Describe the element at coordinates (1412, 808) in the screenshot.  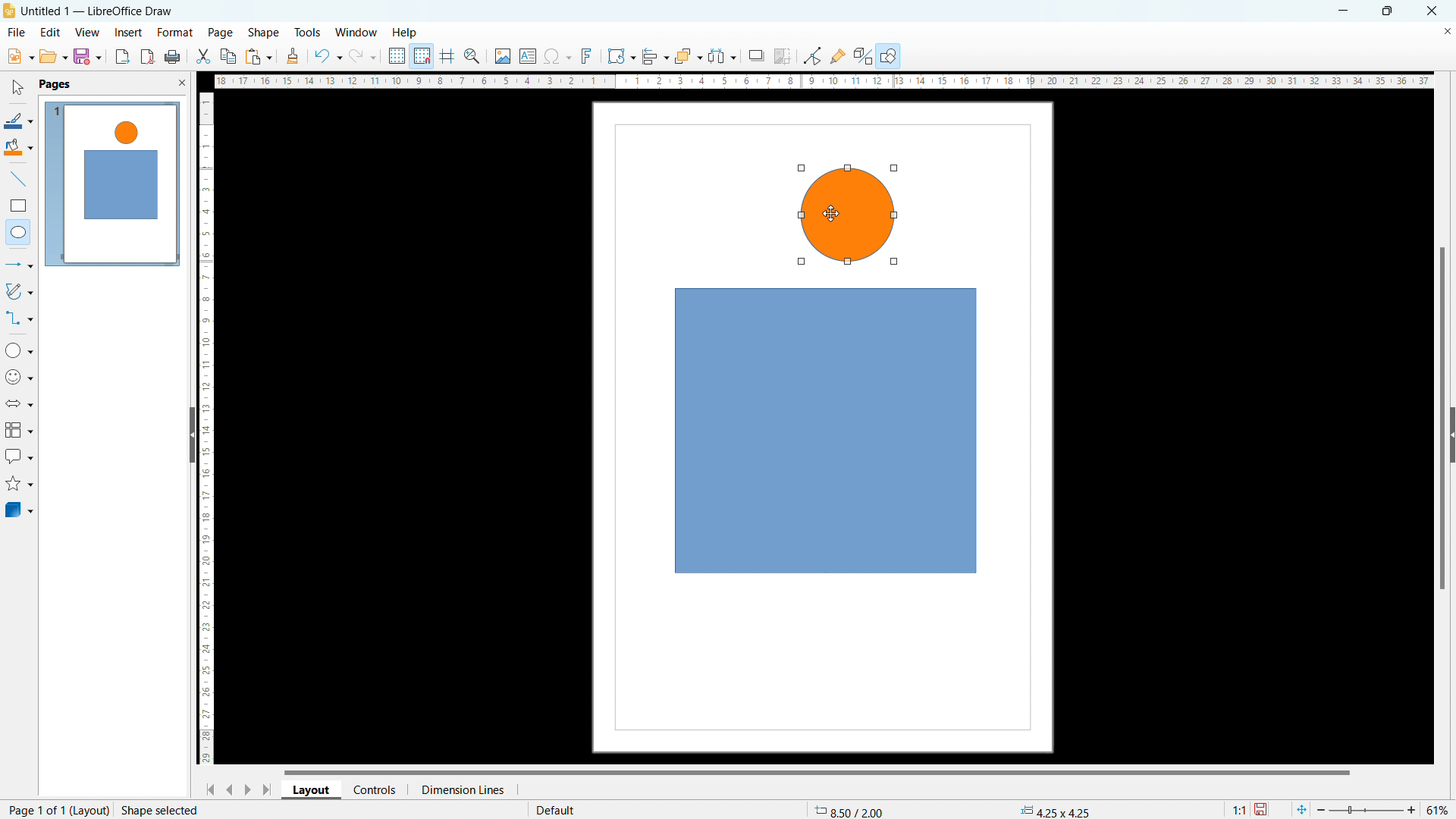
I see `zoom in` at that location.